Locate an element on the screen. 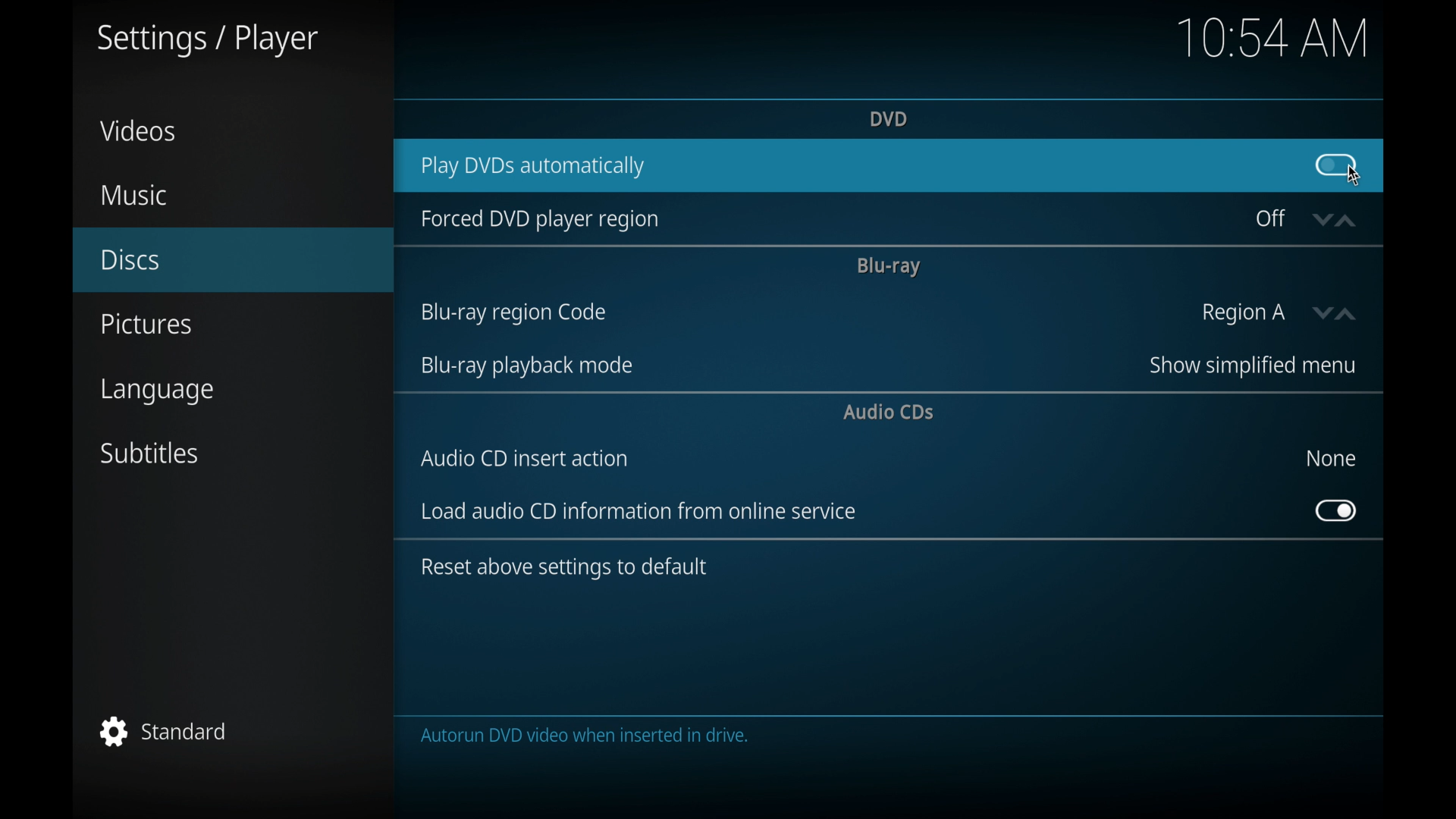 The height and width of the screenshot is (819, 1456). blu-ray is located at coordinates (887, 266).